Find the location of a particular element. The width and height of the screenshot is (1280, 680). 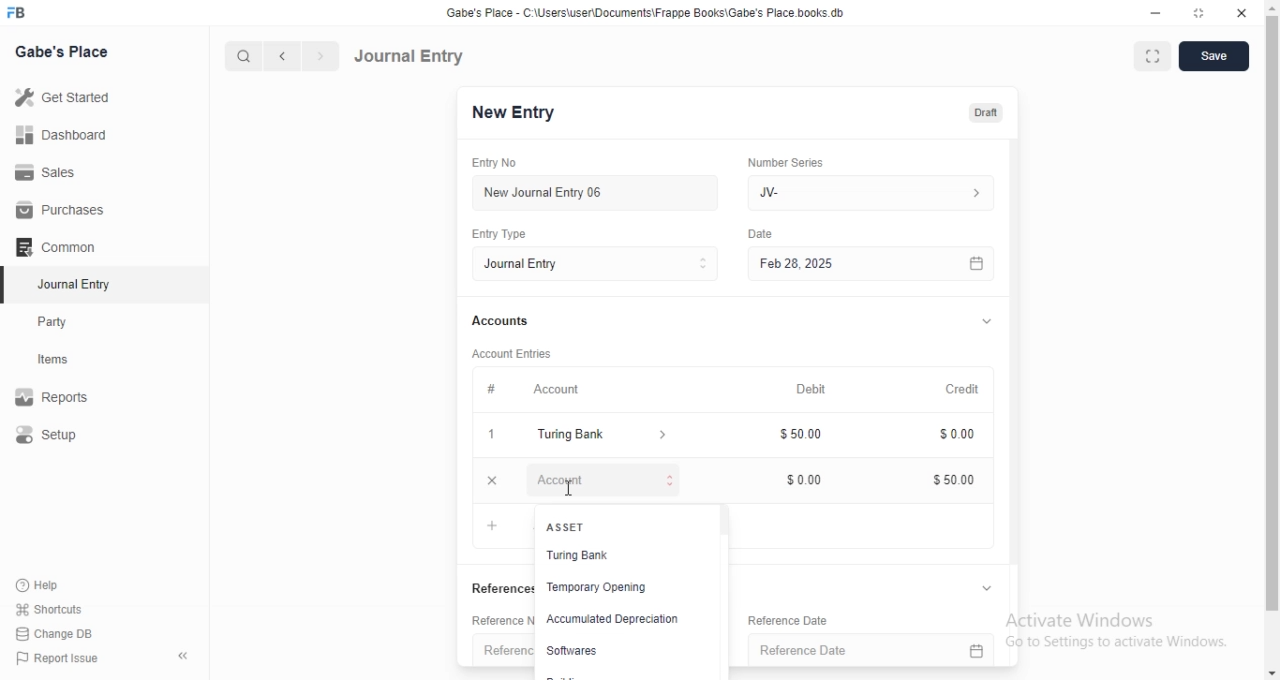

vertical scrollbar is located at coordinates (1272, 315).